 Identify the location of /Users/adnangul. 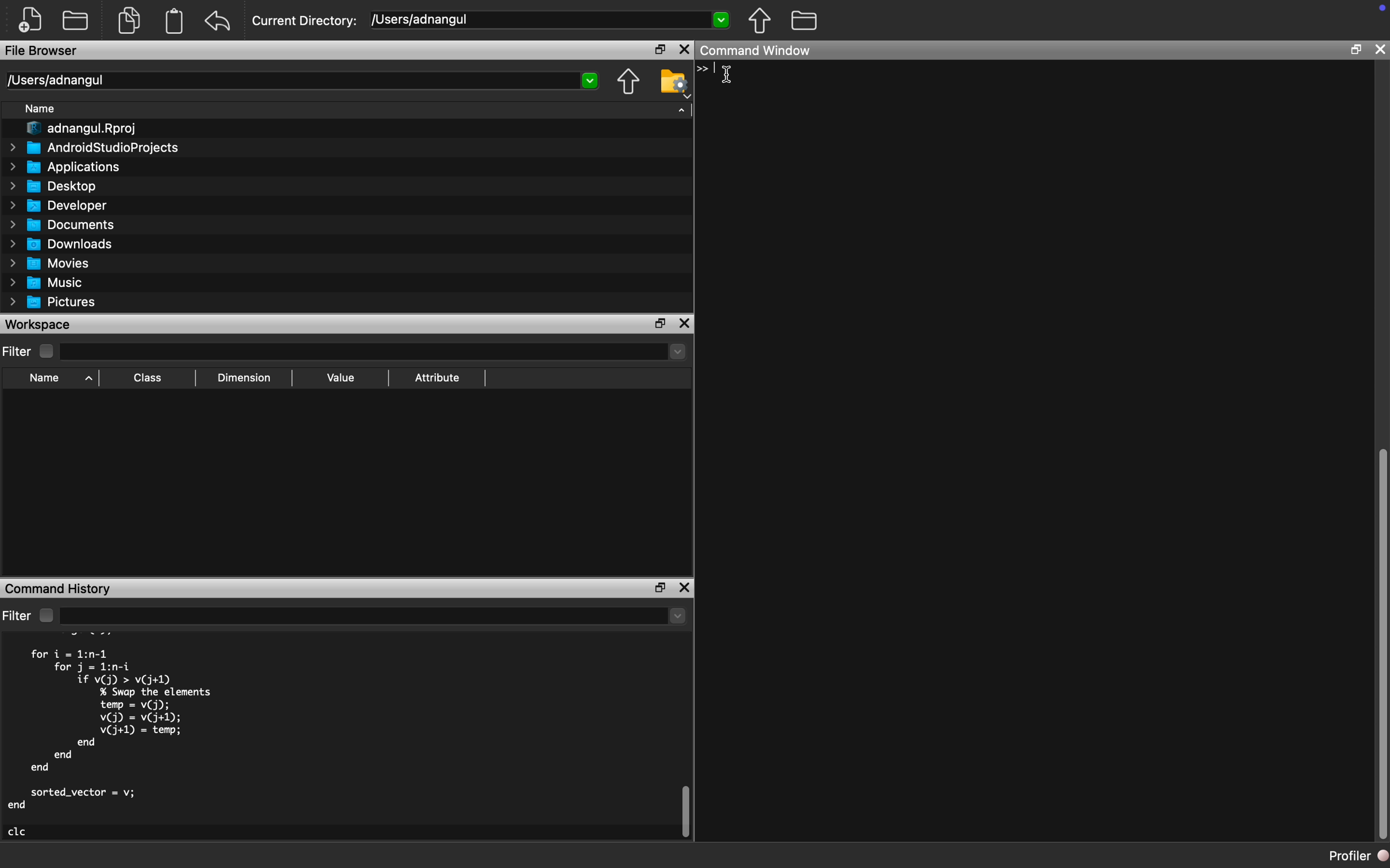
(550, 19).